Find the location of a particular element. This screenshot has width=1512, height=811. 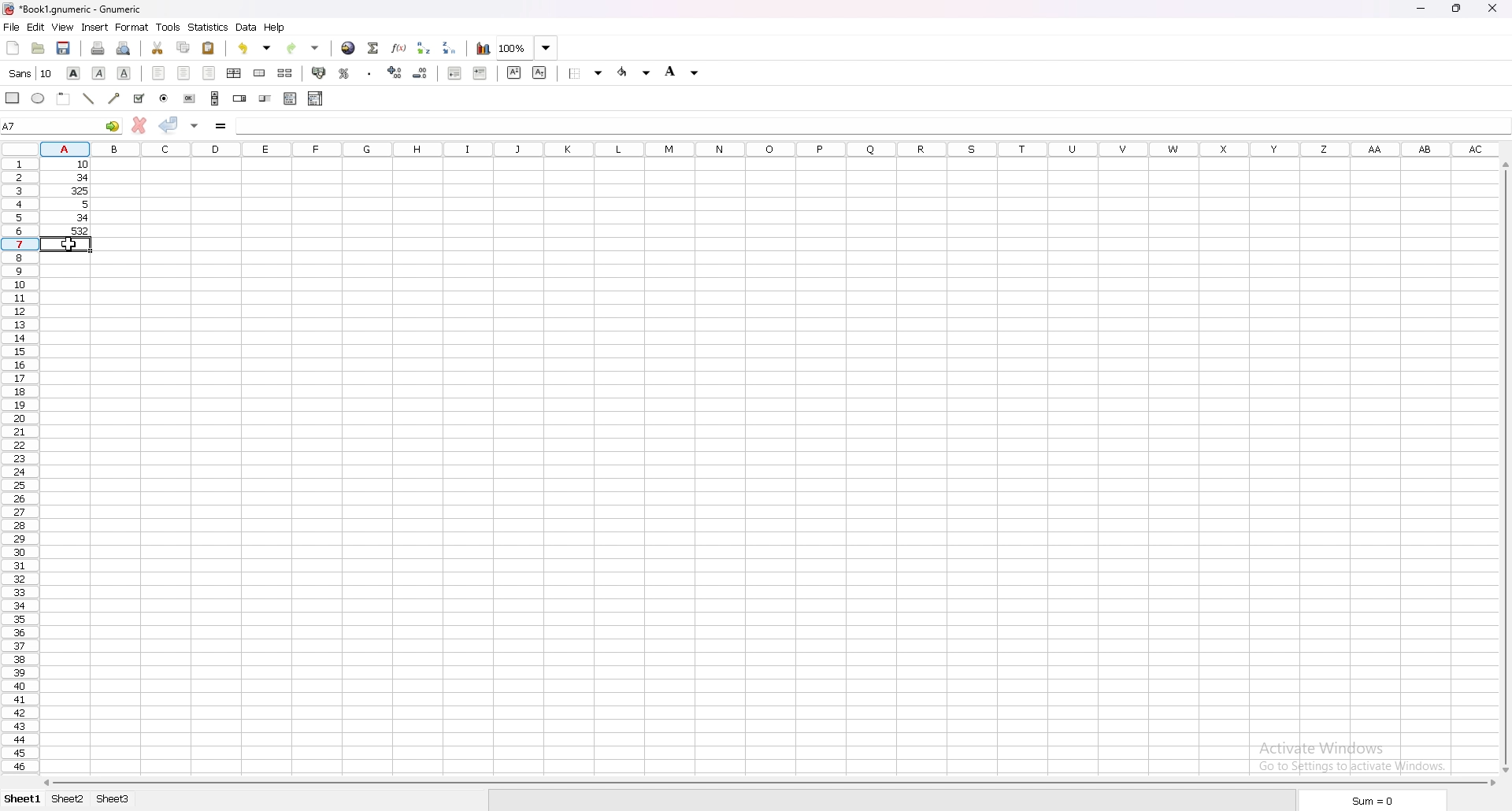

foreground is located at coordinates (633, 72).